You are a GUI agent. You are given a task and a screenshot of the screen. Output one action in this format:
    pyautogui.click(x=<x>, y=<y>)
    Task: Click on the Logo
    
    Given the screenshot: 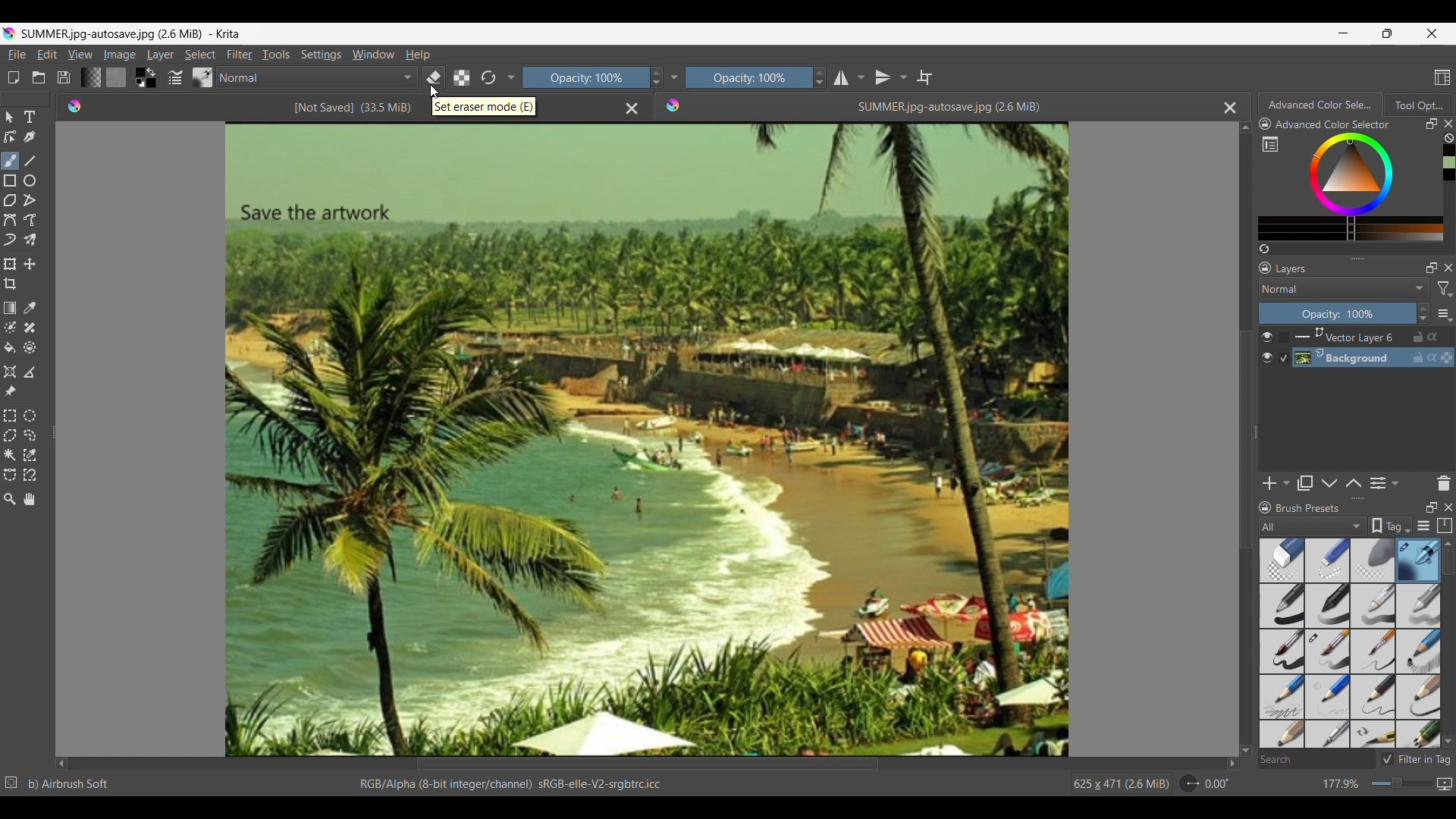 What is the action you would take?
    pyautogui.click(x=77, y=106)
    